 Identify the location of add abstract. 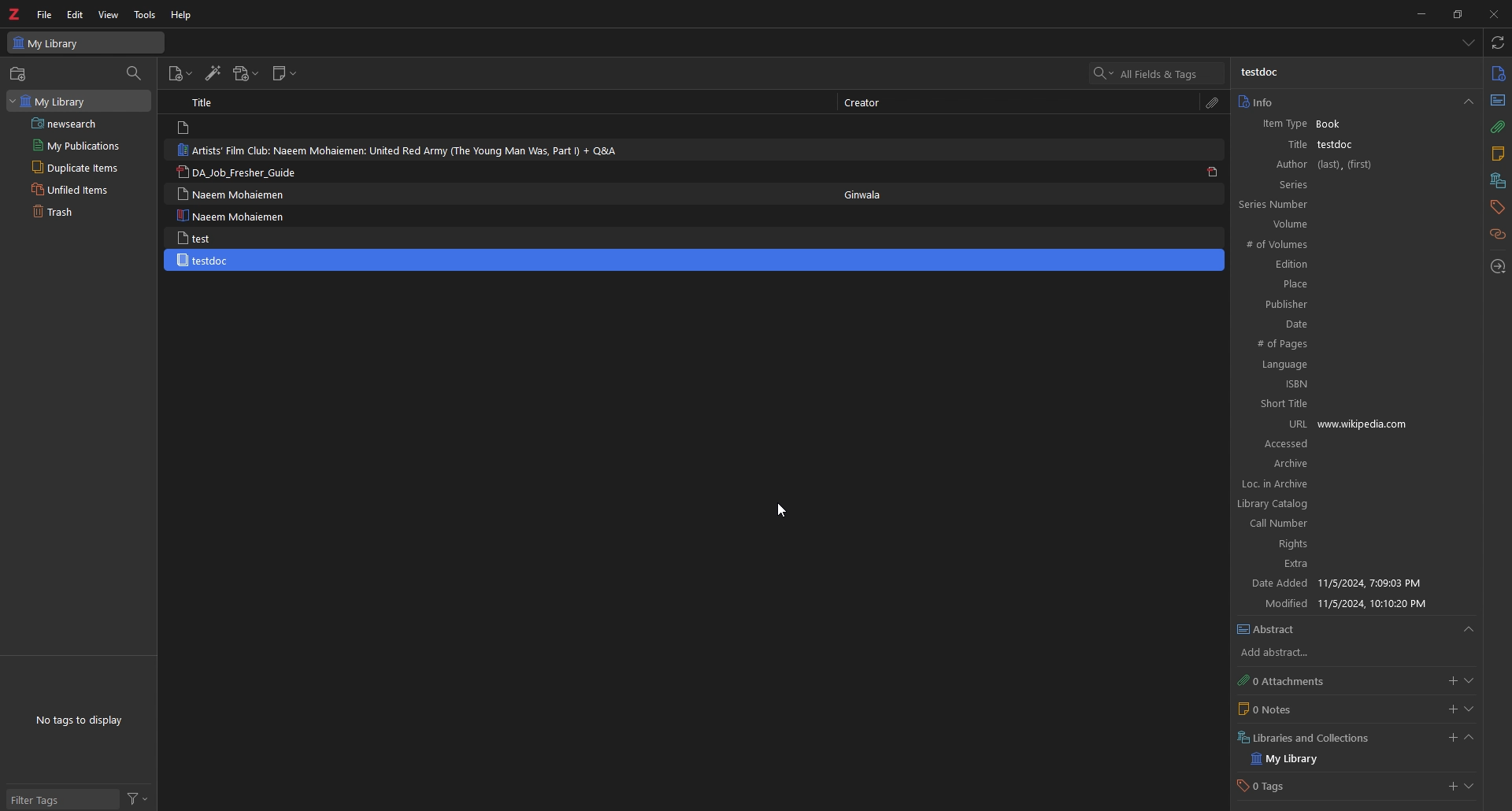
(1287, 654).